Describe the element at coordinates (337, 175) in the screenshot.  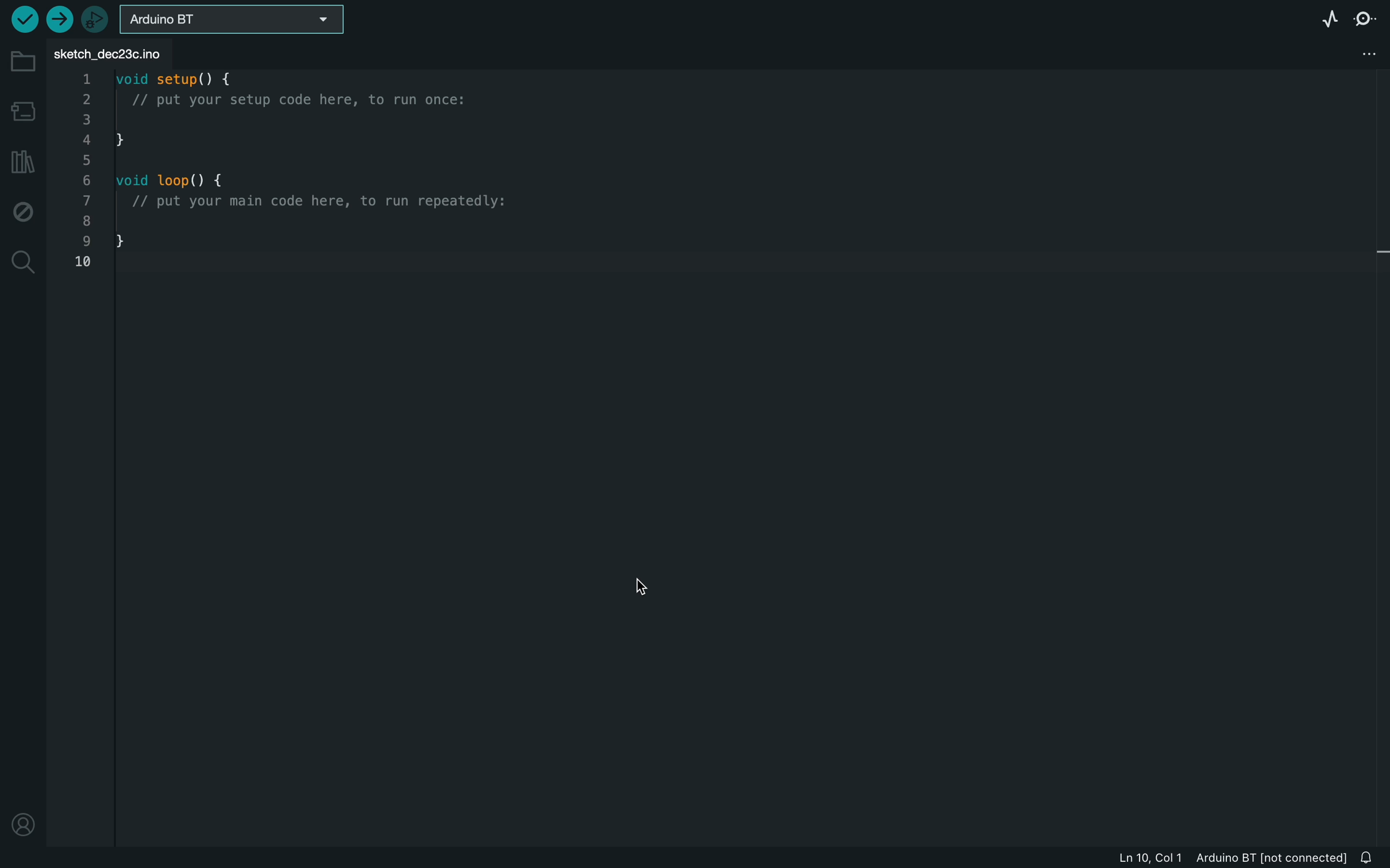
I see `code` at that location.